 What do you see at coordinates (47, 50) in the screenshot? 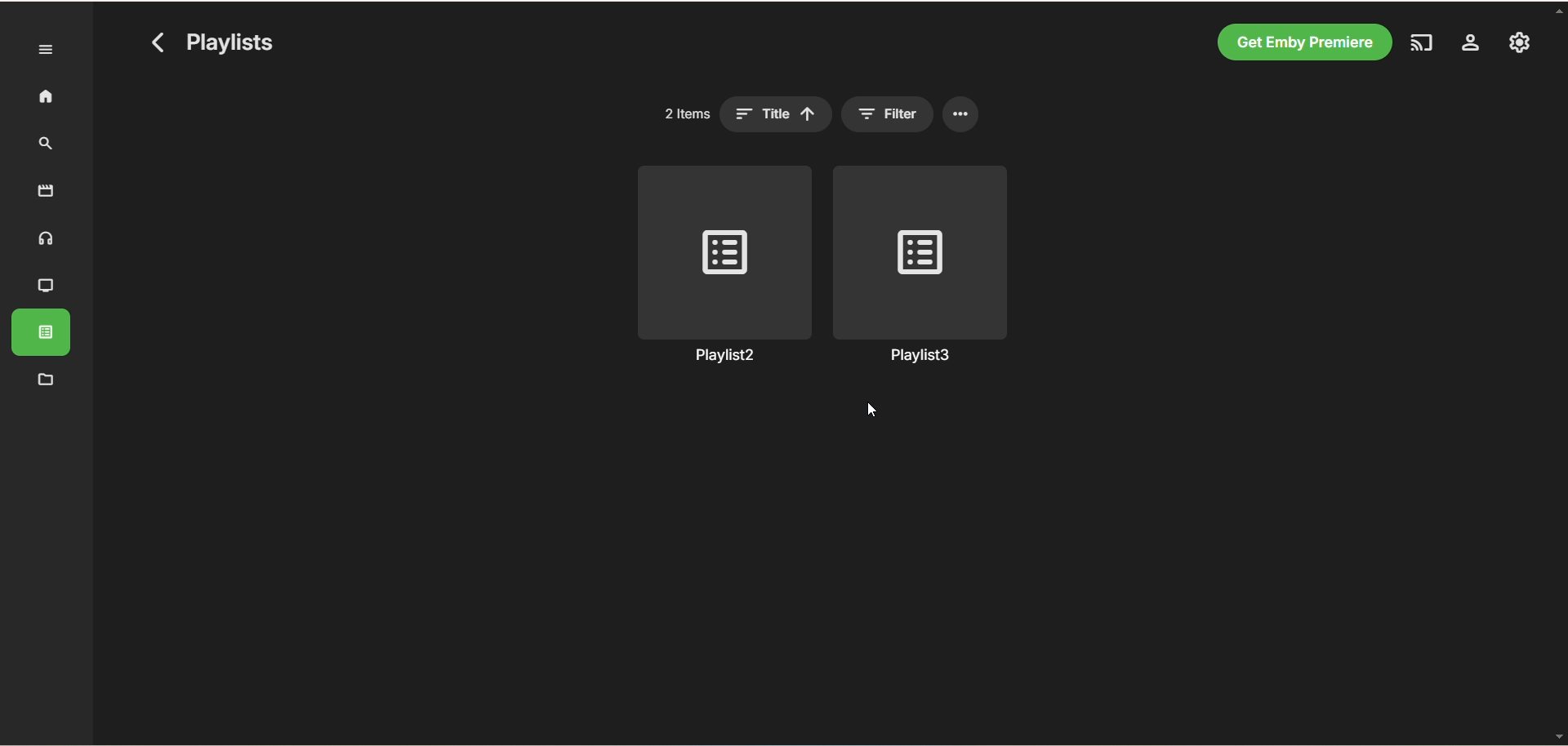
I see `expand` at bounding box center [47, 50].